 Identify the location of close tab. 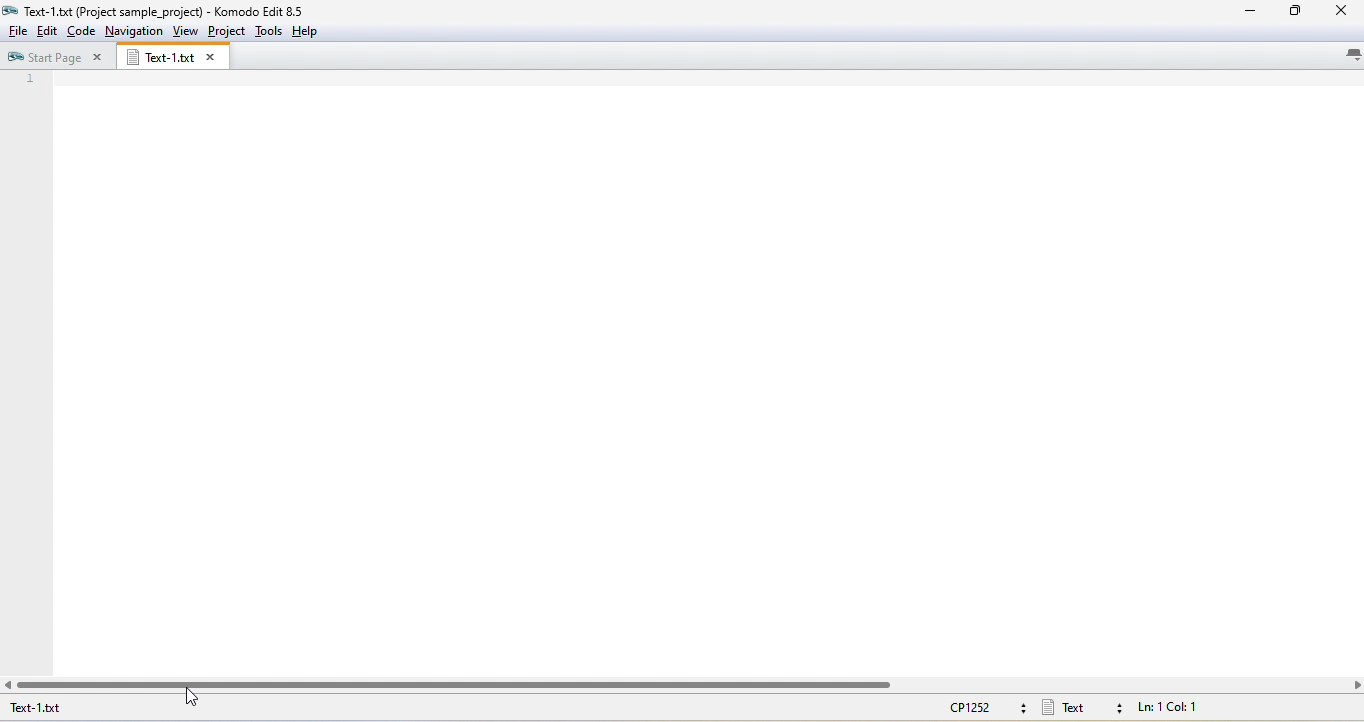
(97, 57).